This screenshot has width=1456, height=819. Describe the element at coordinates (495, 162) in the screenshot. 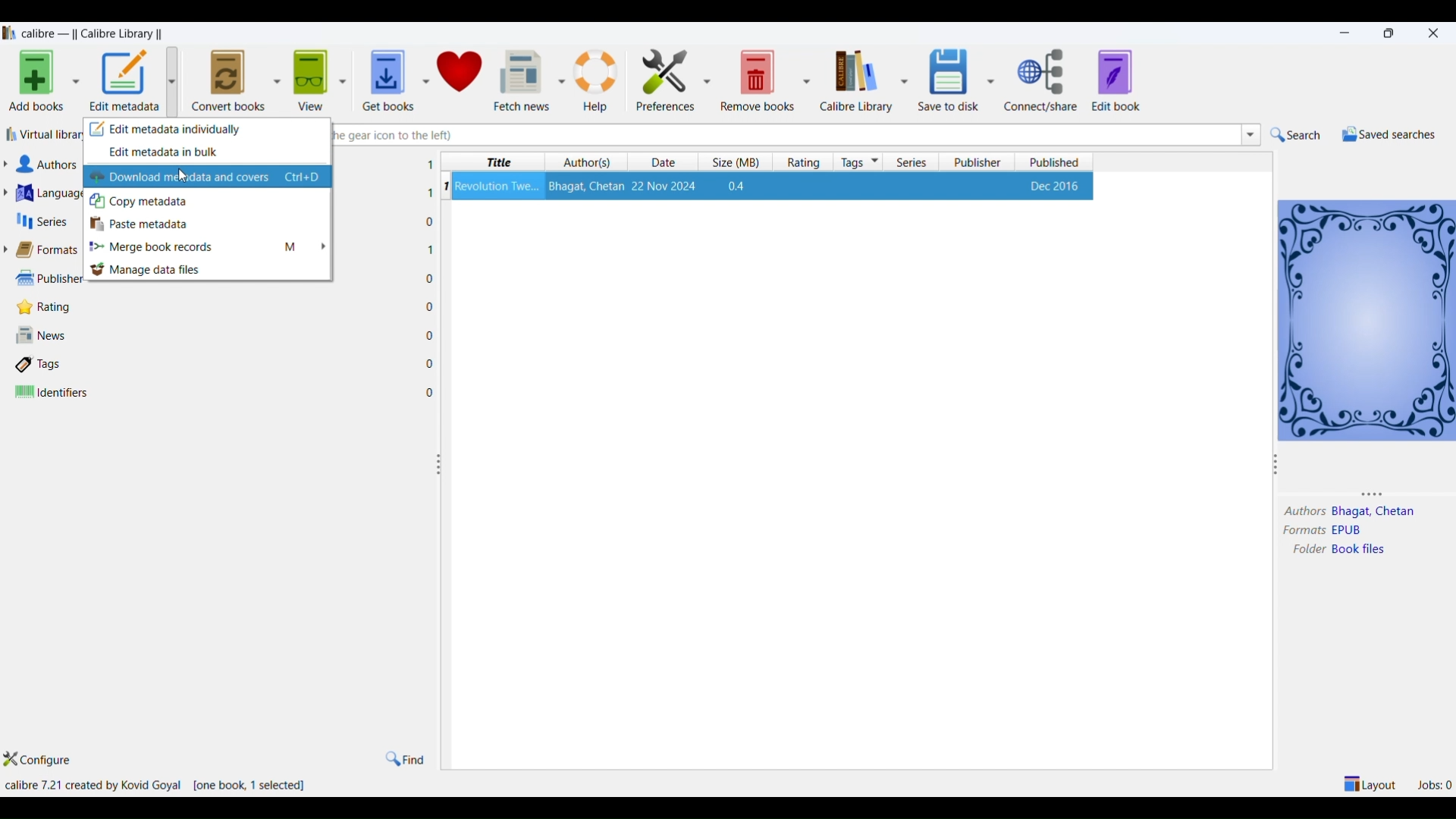

I see `title` at that location.